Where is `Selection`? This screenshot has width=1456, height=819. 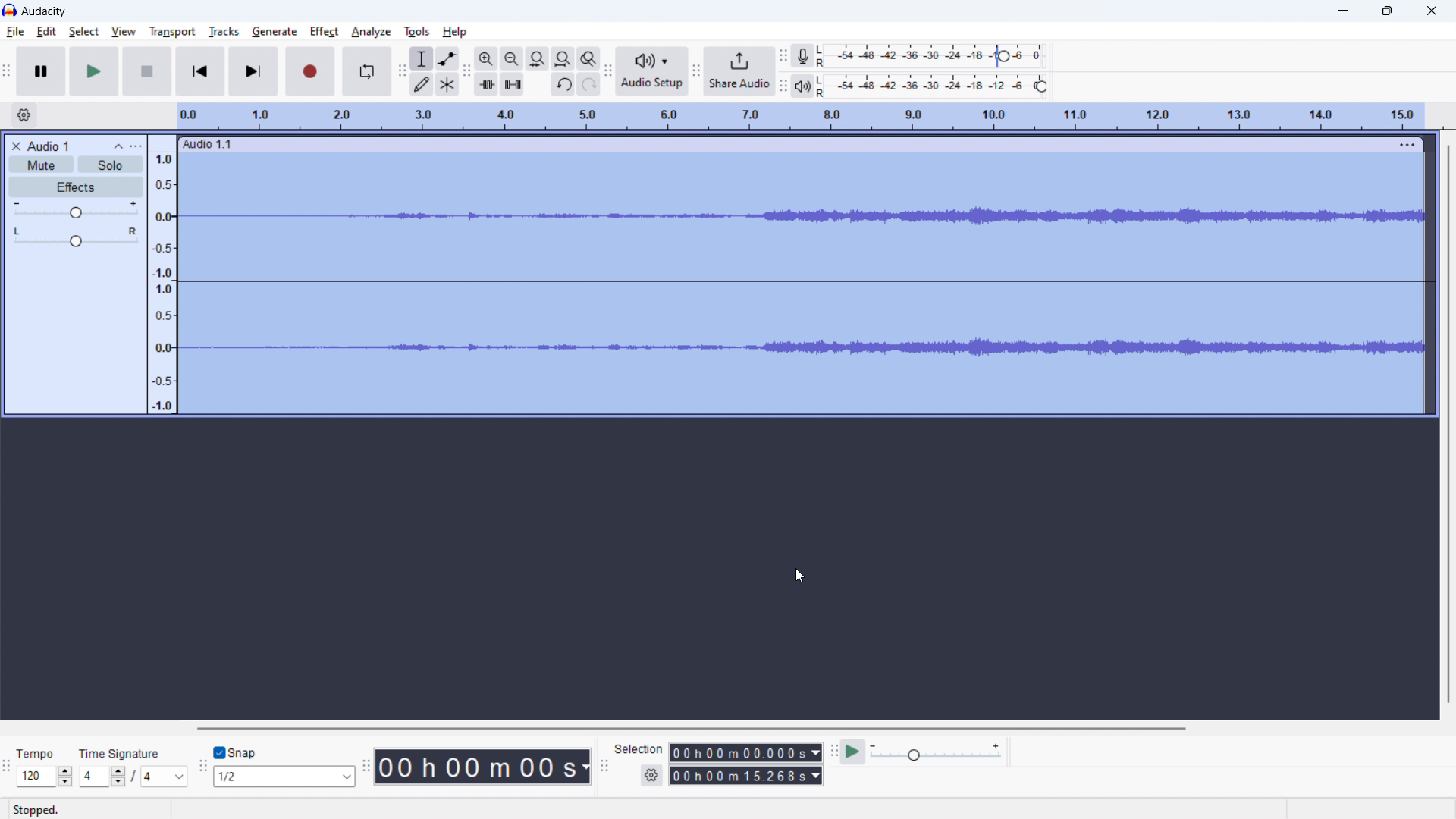 Selection is located at coordinates (639, 749).